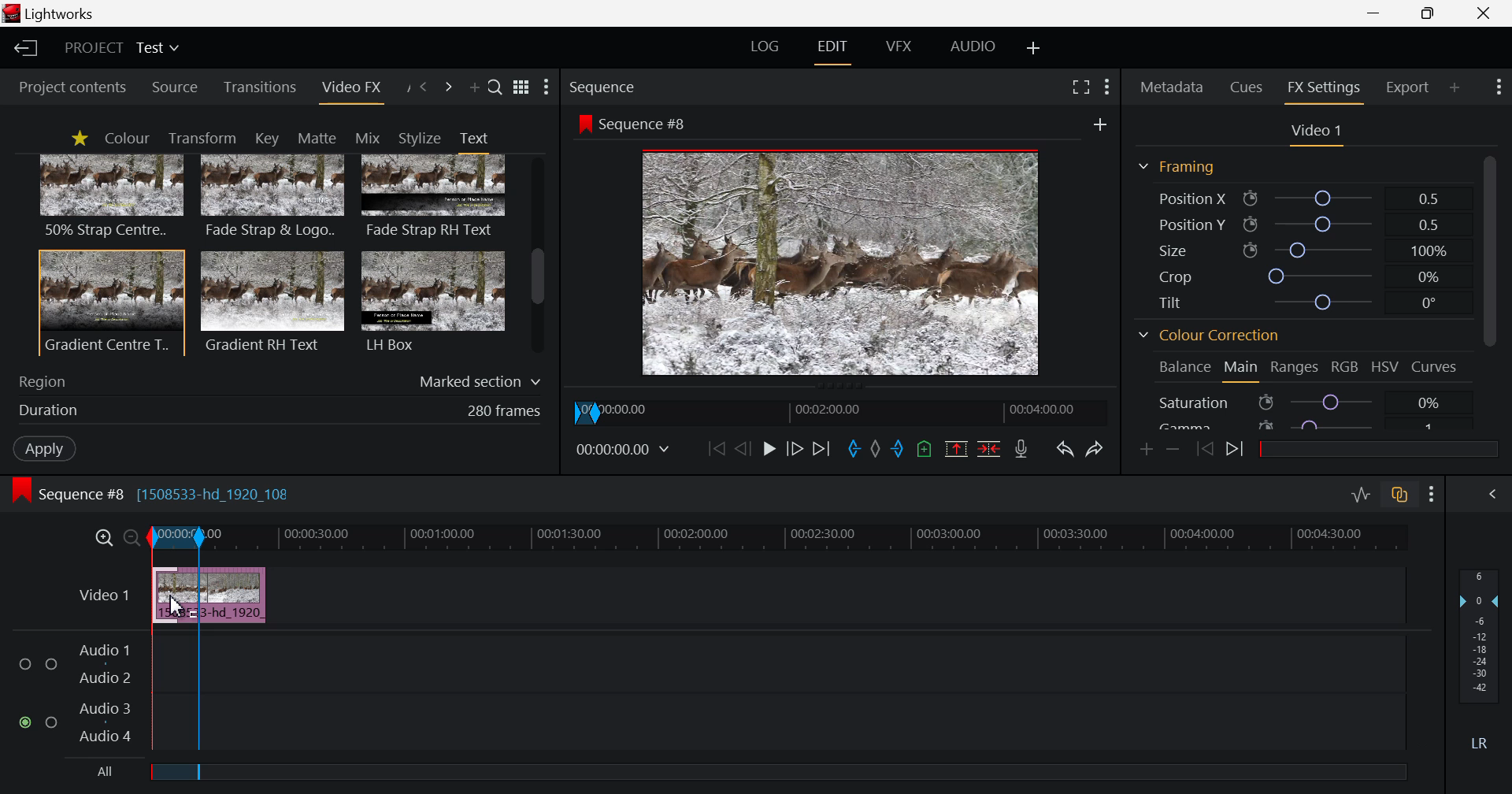 This screenshot has width=1512, height=794. What do you see at coordinates (79, 138) in the screenshot?
I see `Favorites` at bounding box center [79, 138].